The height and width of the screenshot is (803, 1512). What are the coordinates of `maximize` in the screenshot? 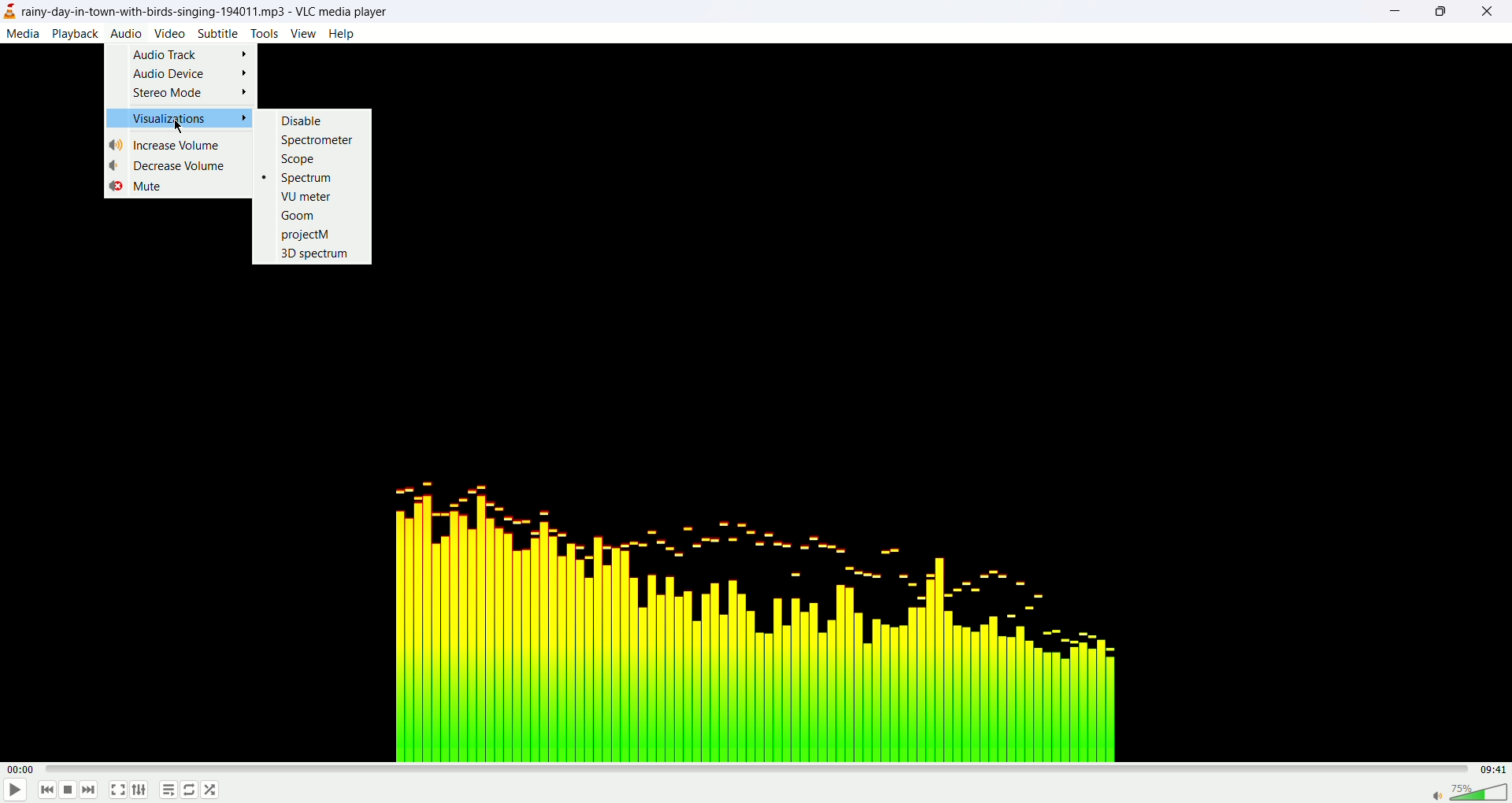 It's located at (1440, 12).